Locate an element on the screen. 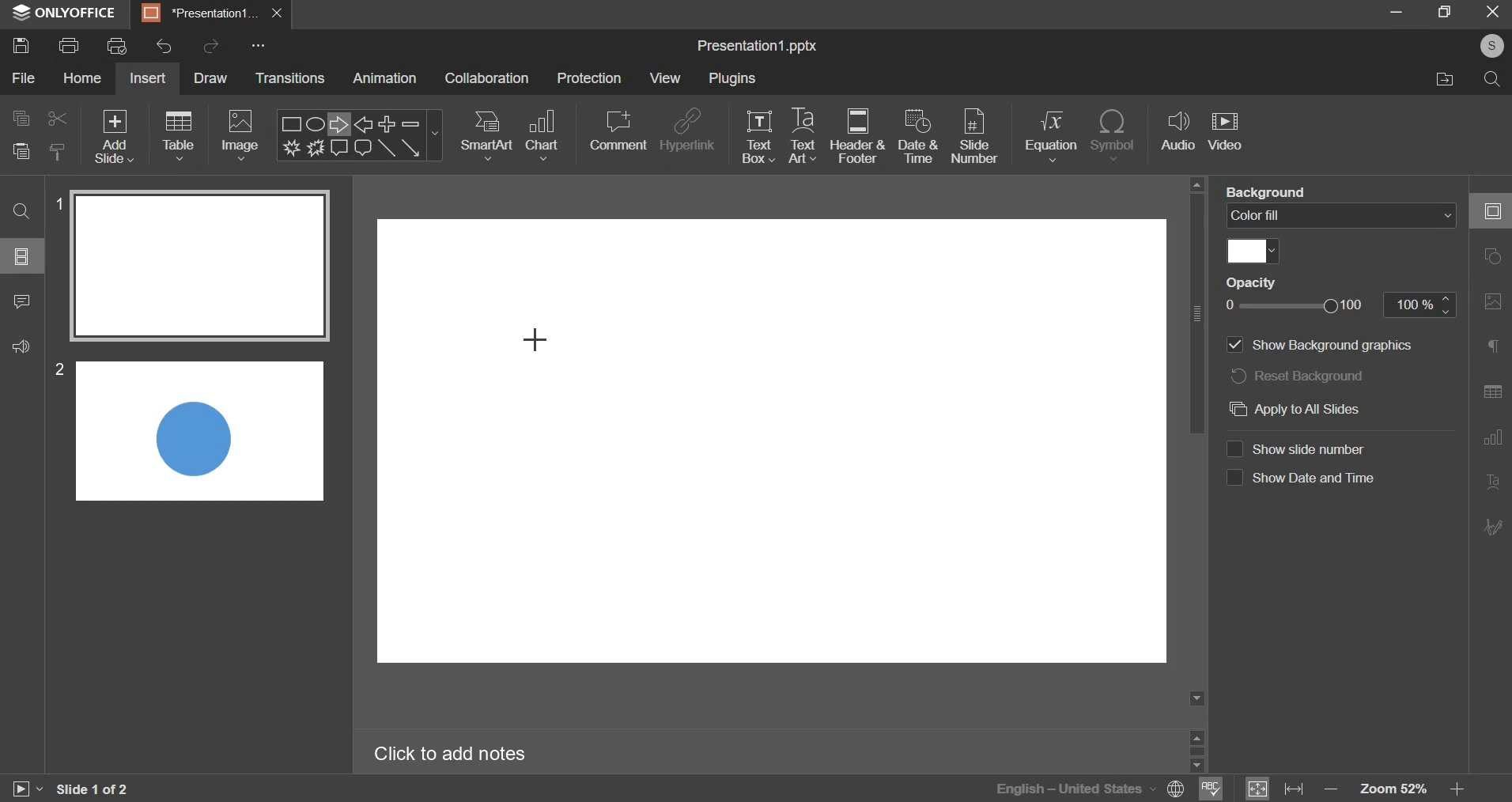  Ellipse is located at coordinates (316, 123).